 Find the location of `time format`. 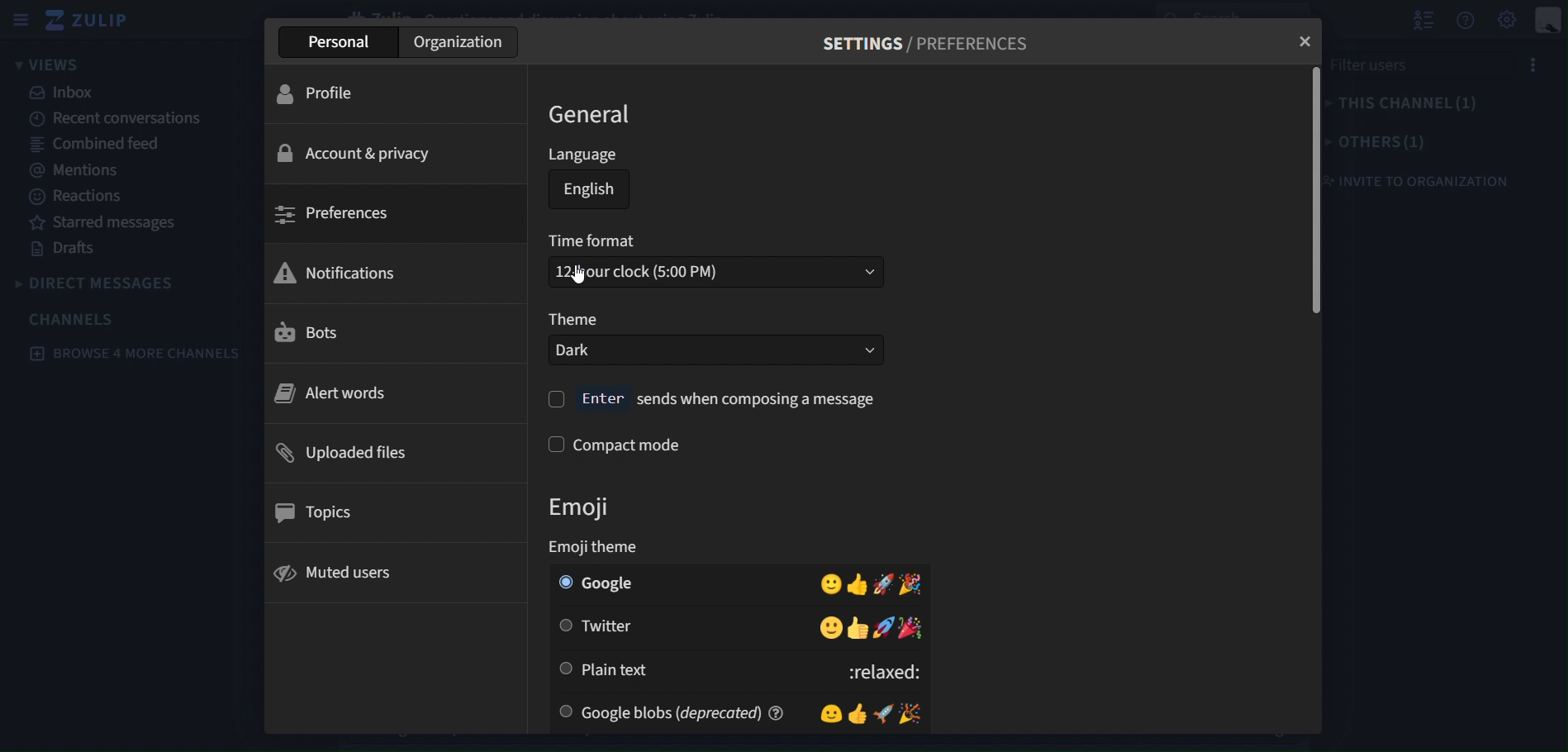

time format is located at coordinates (600, 240).